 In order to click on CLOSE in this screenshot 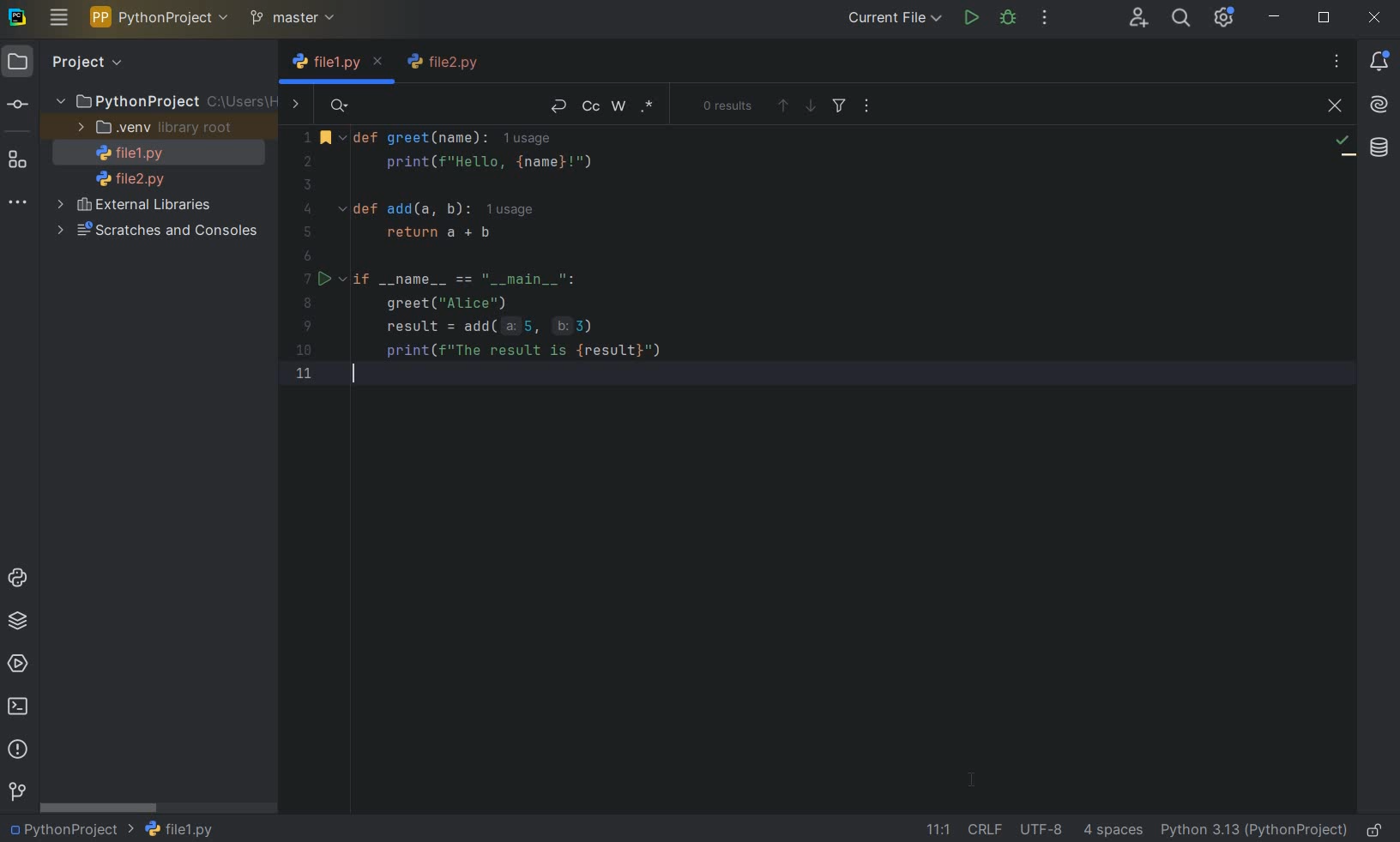, I will do `click(1331, 106)`.